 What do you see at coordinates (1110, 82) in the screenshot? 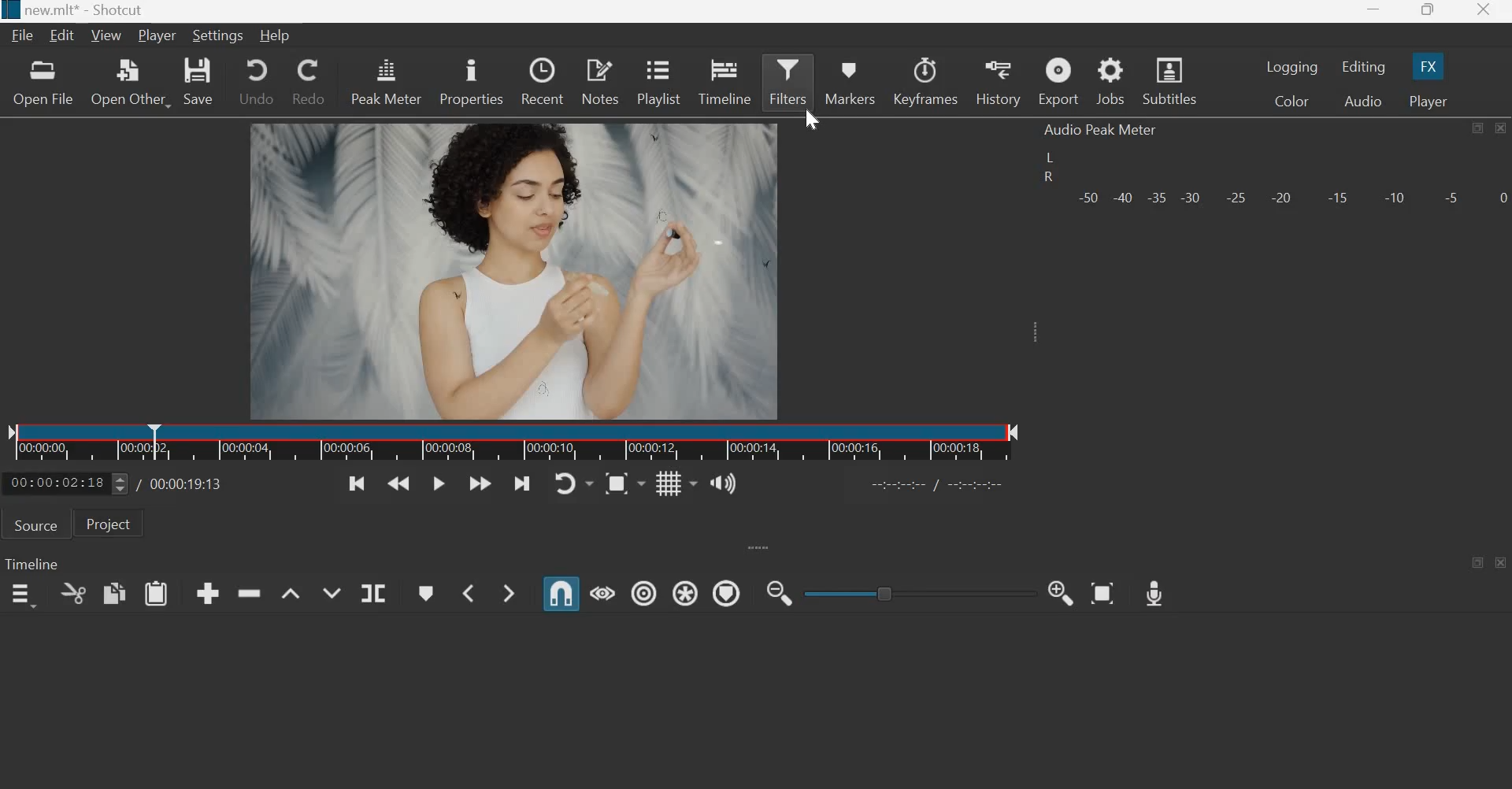
I see `Jobs` at bounding box center [1110, 82].